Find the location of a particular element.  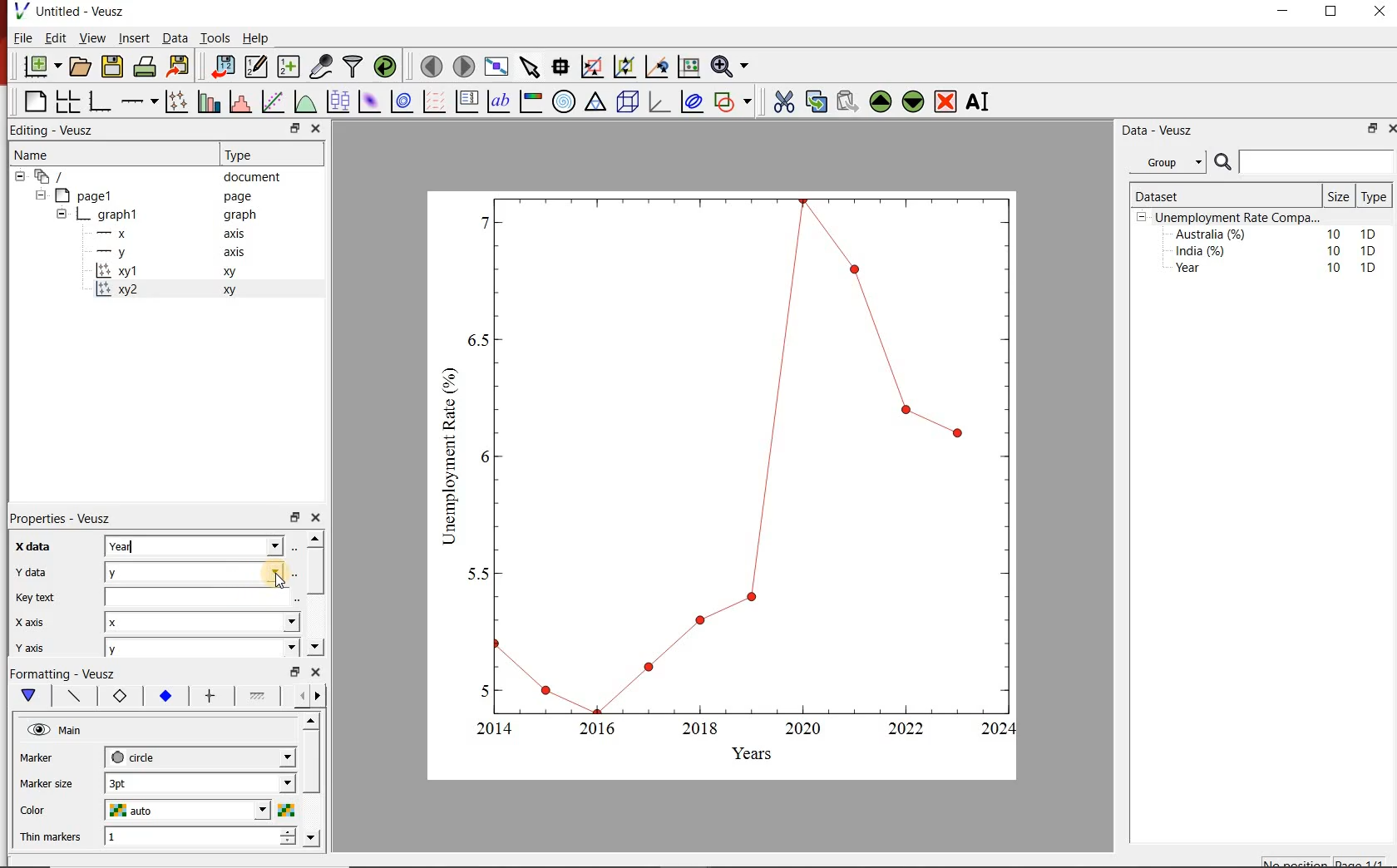

plot line is located at coordinates (76, 697).